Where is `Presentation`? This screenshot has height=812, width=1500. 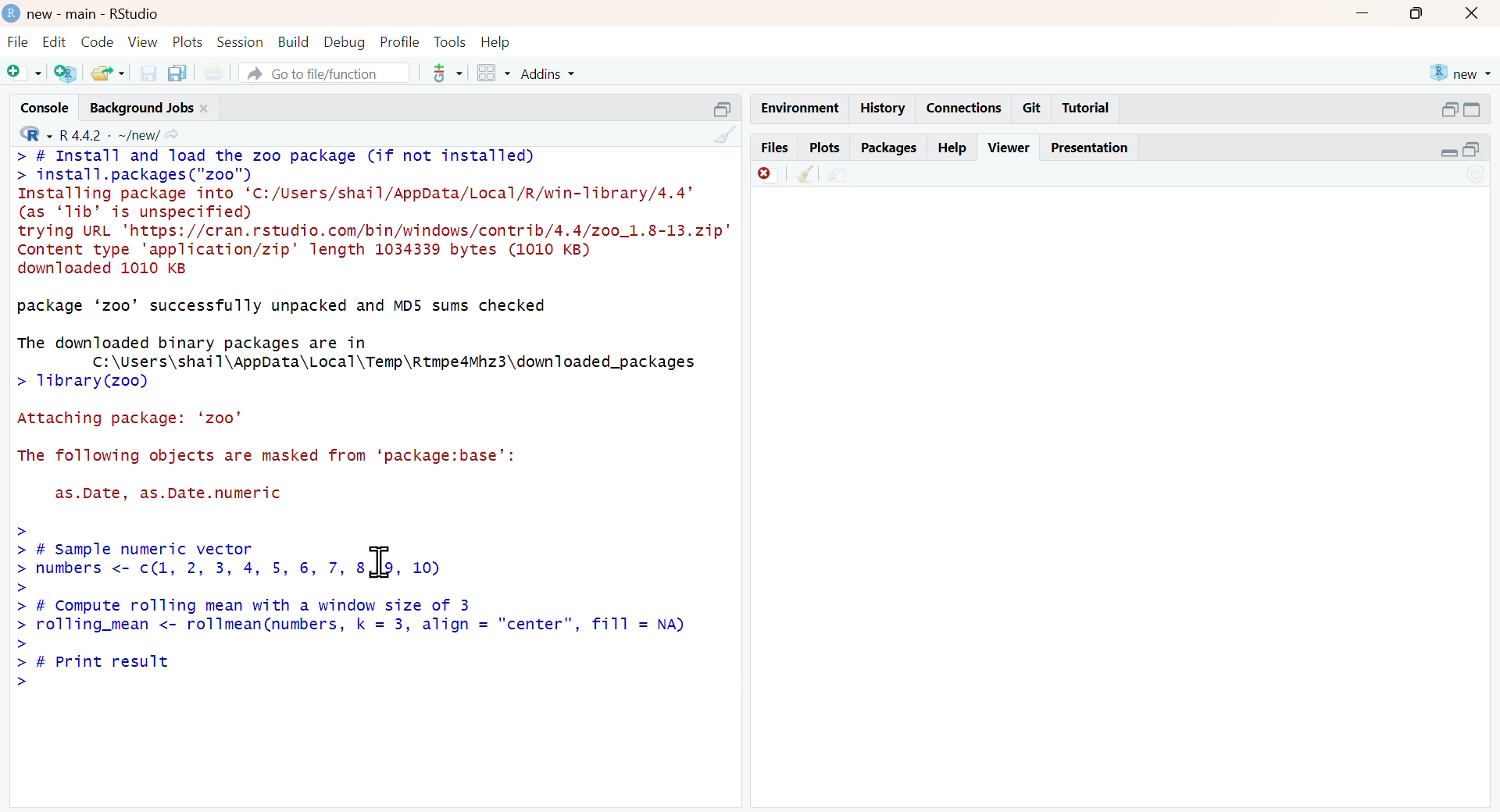 Presentation is located at coordinates (1090, 148).